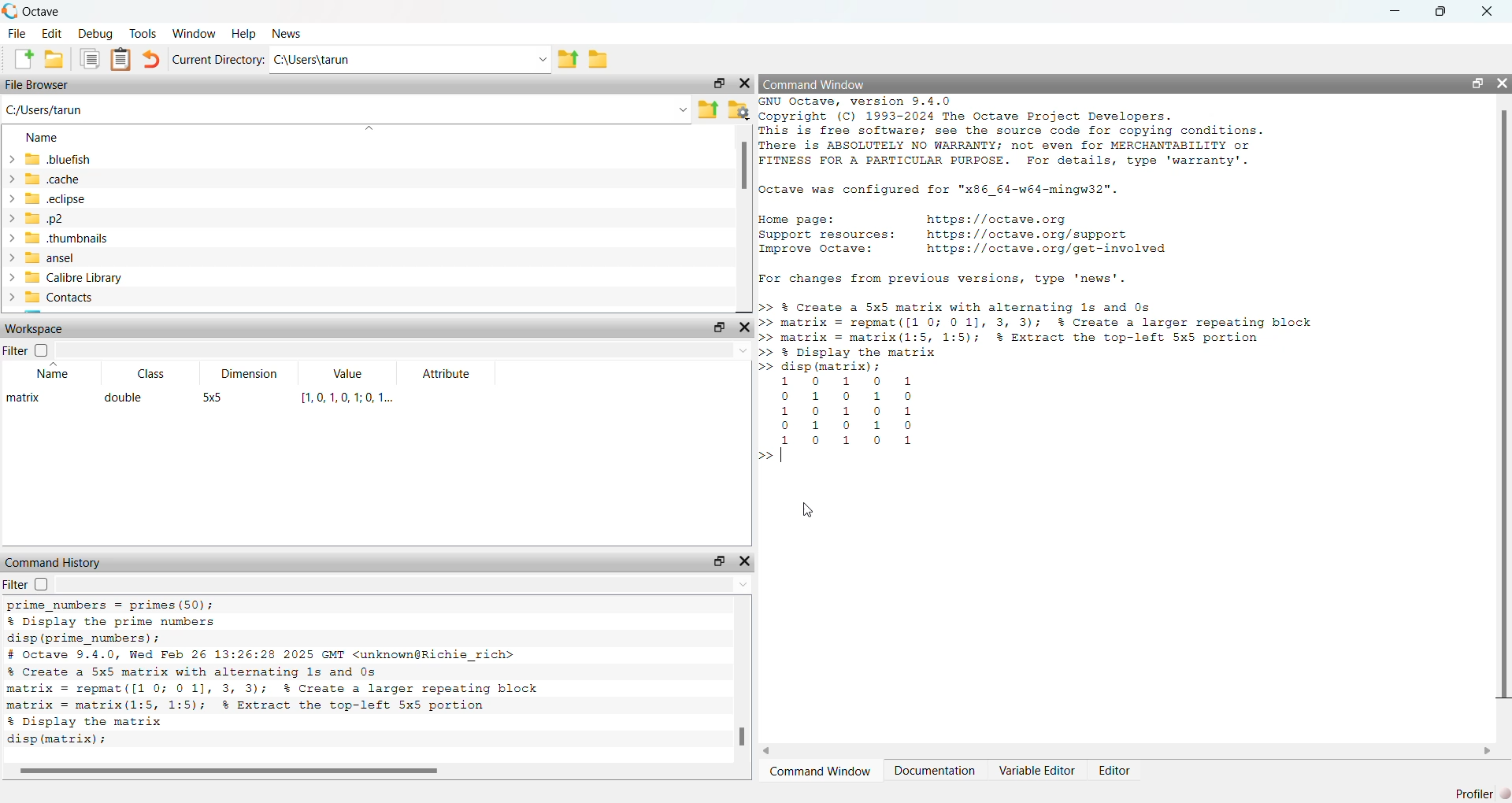 This screenshot has width=1512, height=803. I want to click on Attribute, so click(448, 375).